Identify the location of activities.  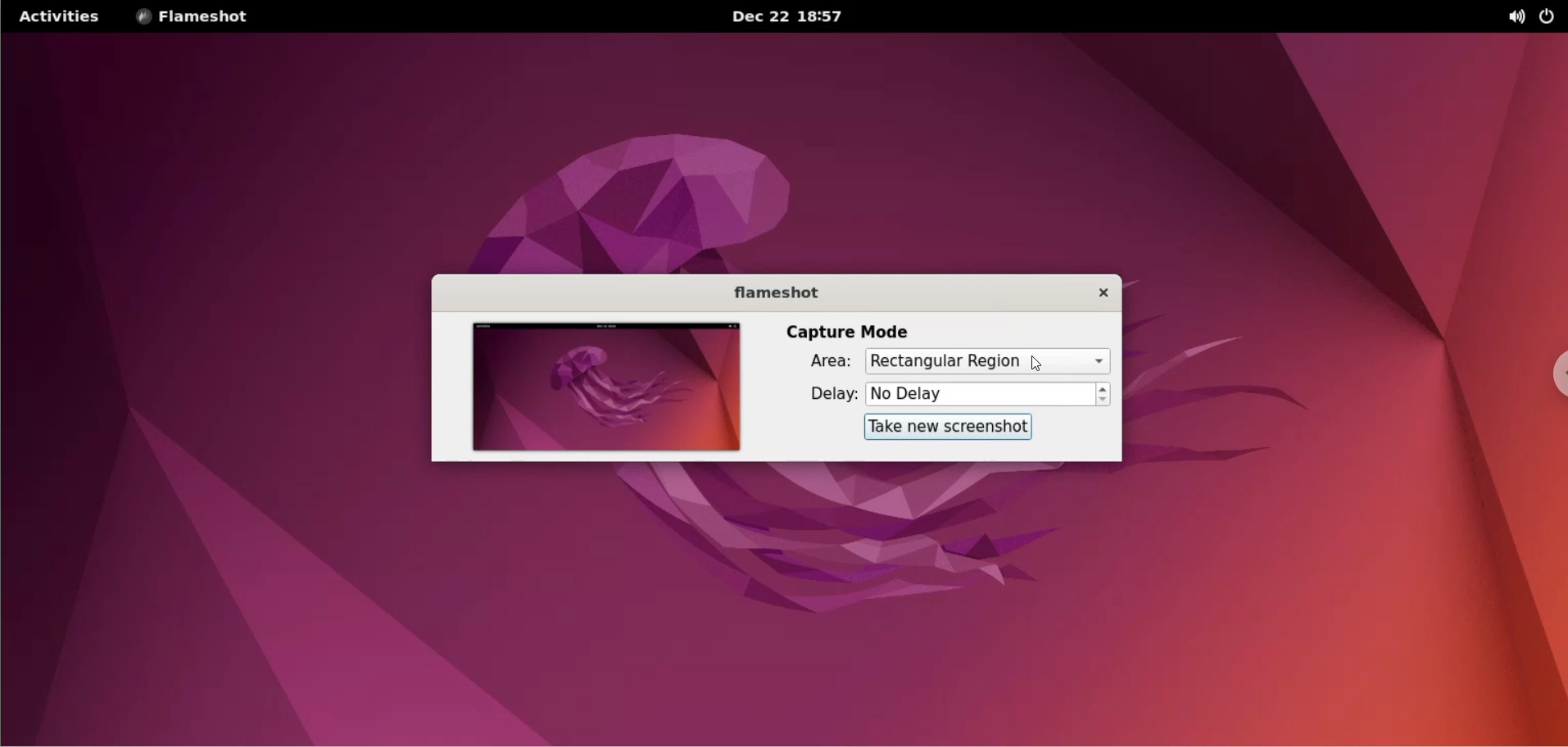
(57, 16).